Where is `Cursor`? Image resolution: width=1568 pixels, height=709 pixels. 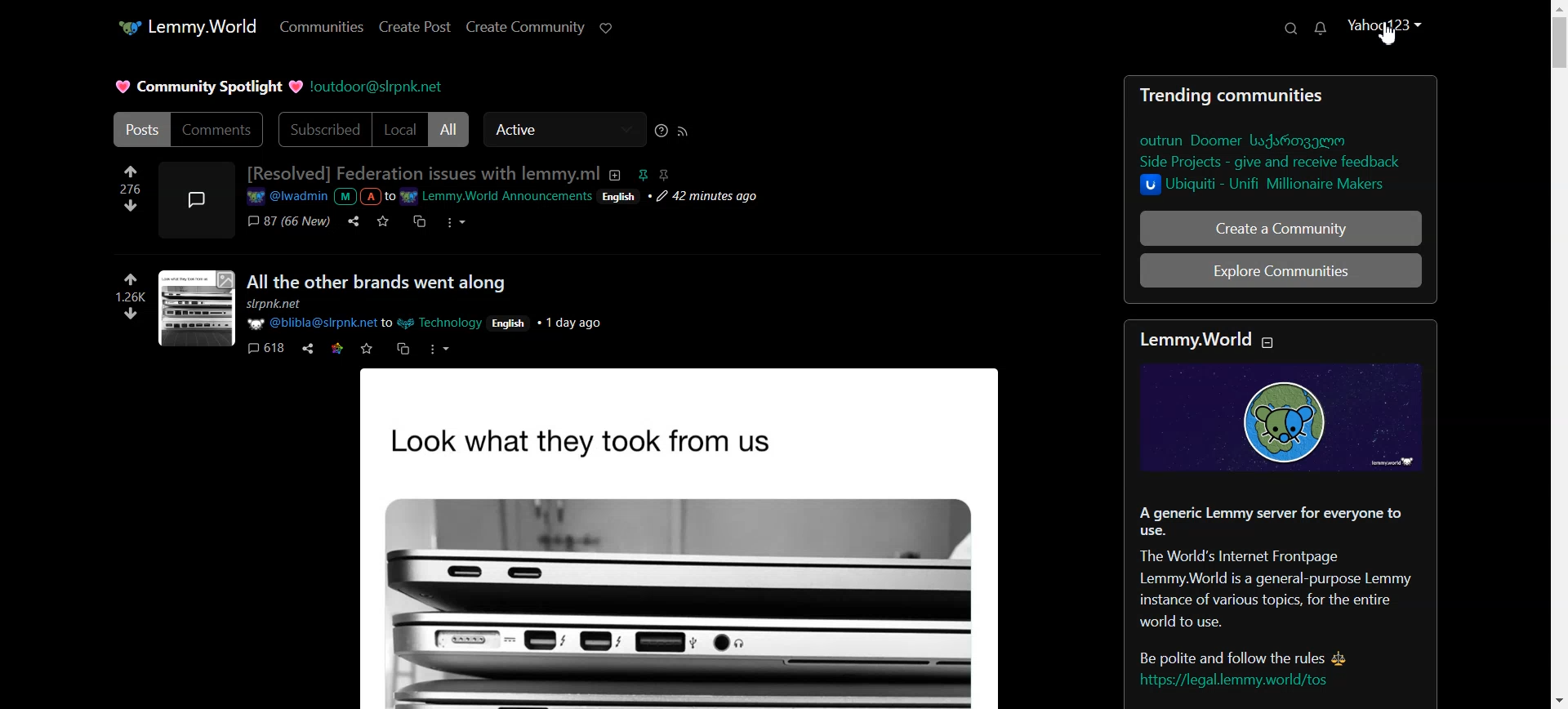 Cursor is located at coordinates (1390, 33).